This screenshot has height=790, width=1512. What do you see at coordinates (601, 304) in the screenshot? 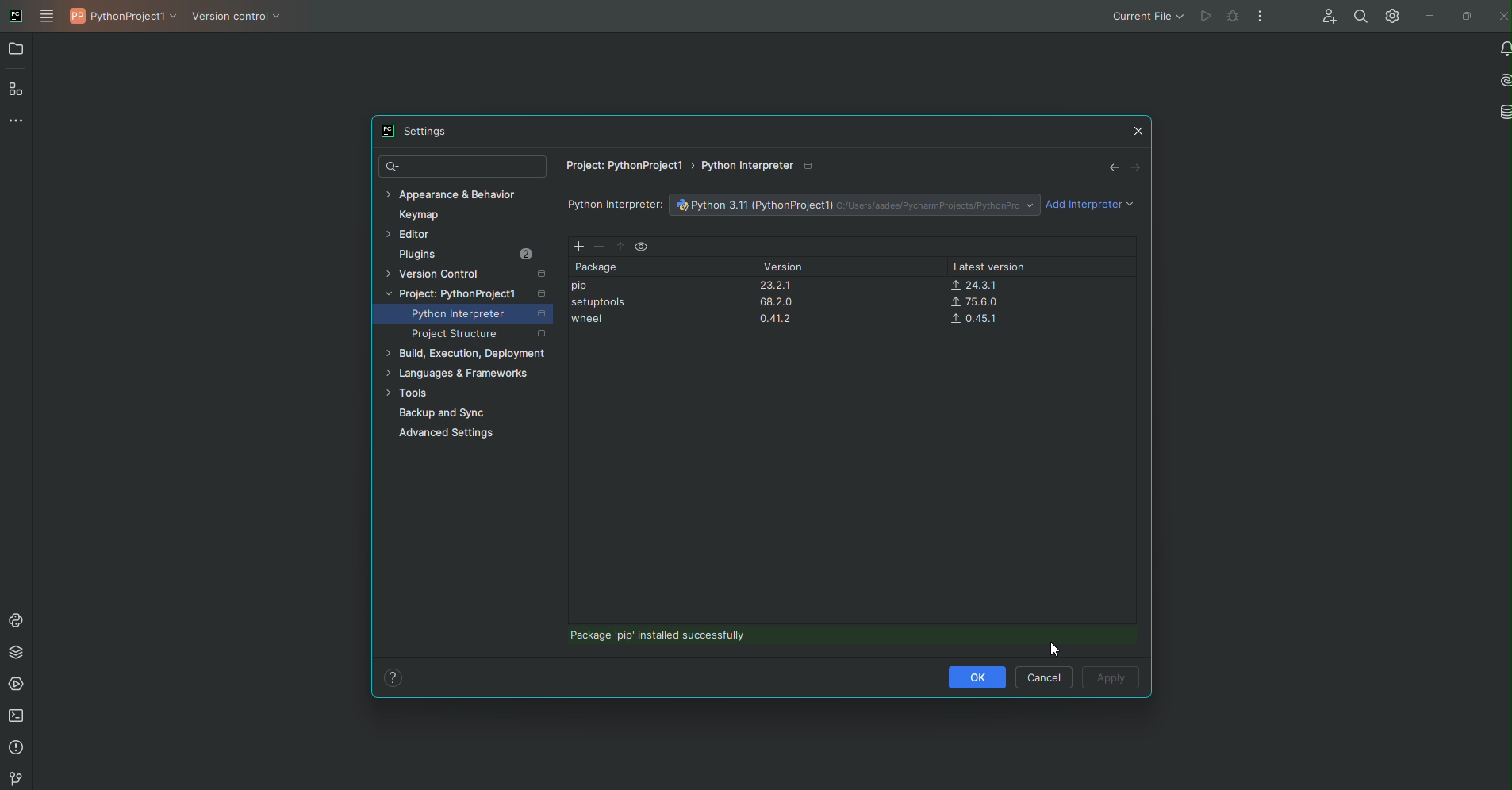
I see `Setuptools` at bounding box center [601, 304].